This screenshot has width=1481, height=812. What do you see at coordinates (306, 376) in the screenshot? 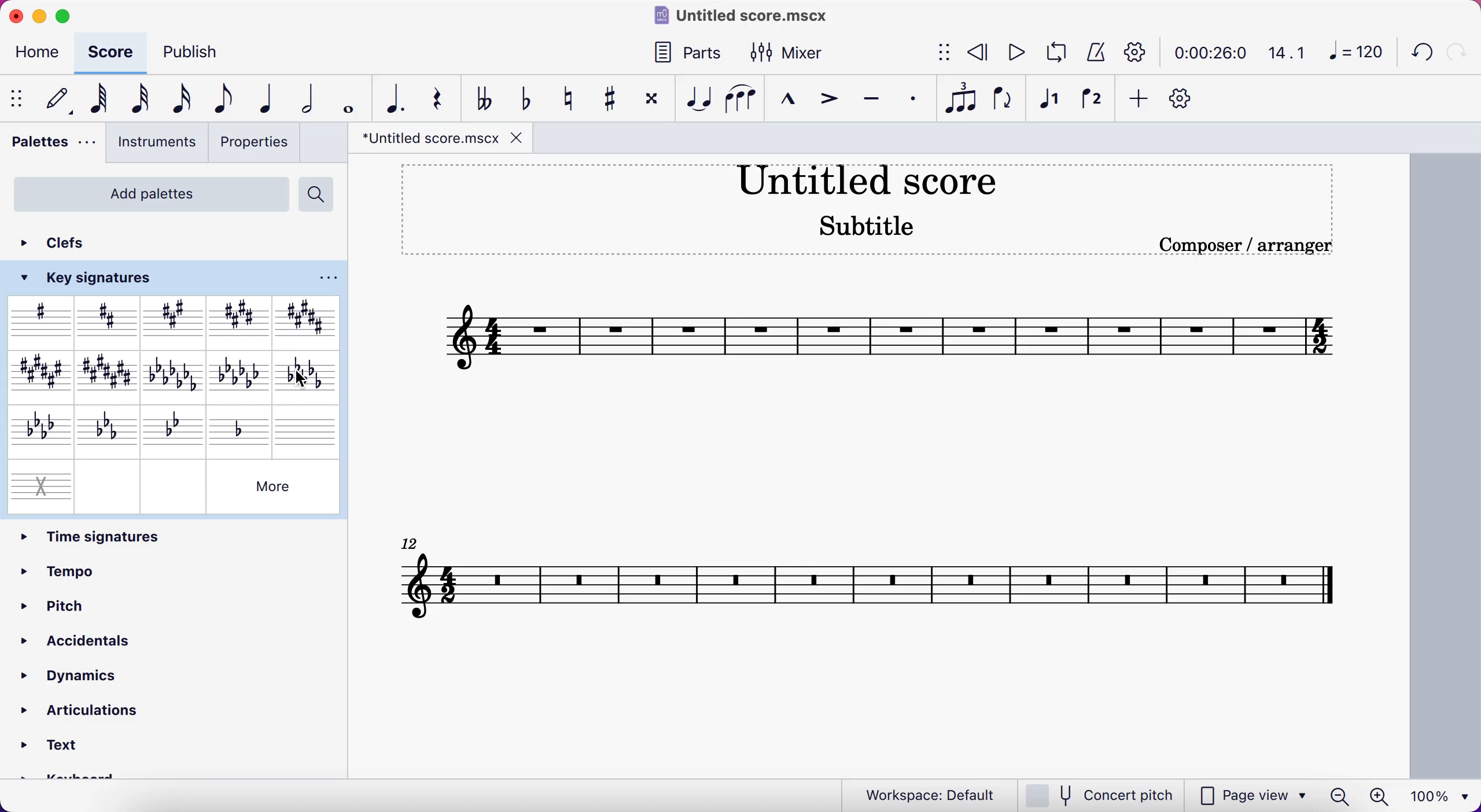
I see `B minor` at bounding box center [306, 376].